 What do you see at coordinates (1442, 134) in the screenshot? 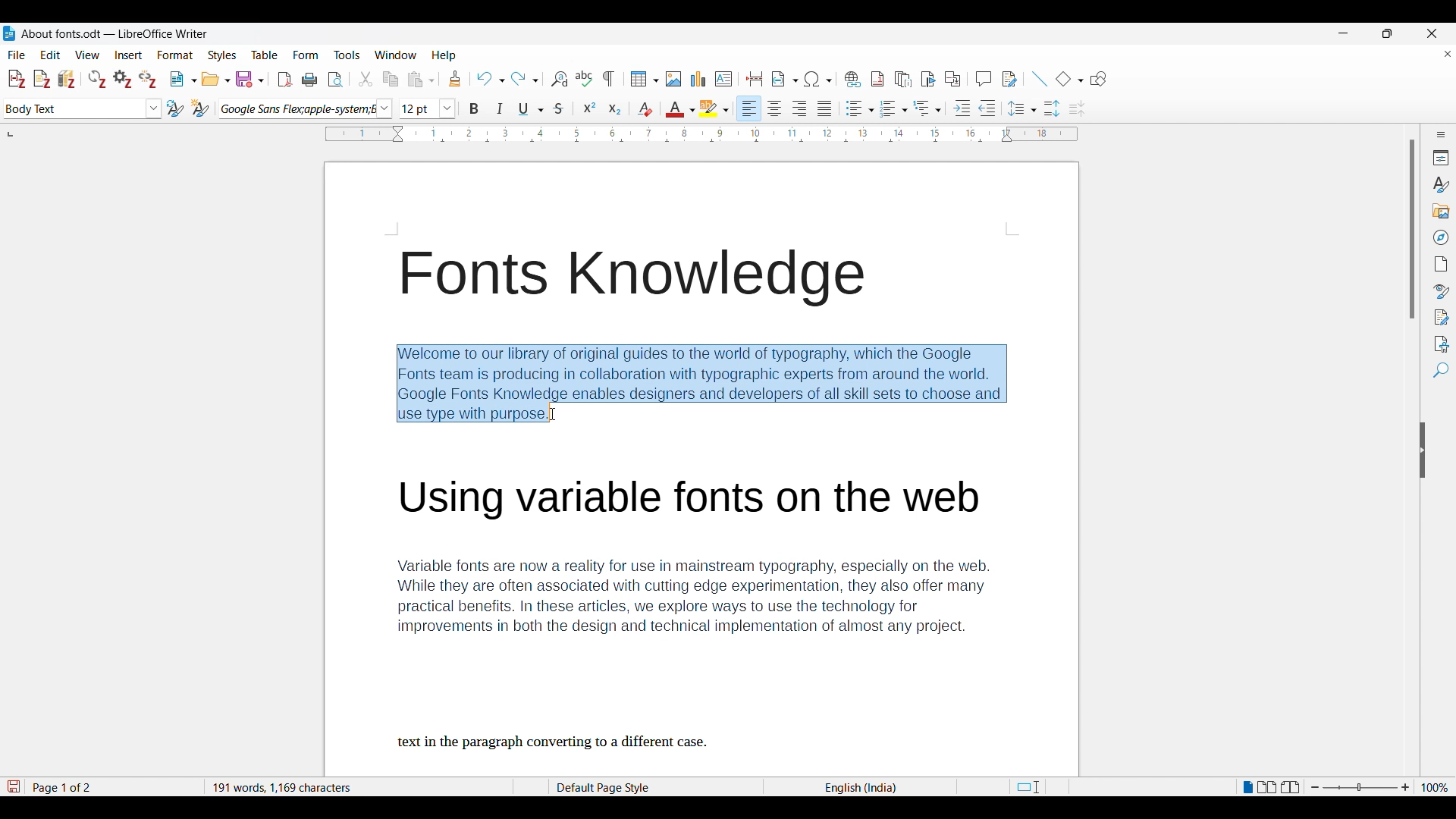
I see `Sidebar settings` at bounding box center [1442, 134].